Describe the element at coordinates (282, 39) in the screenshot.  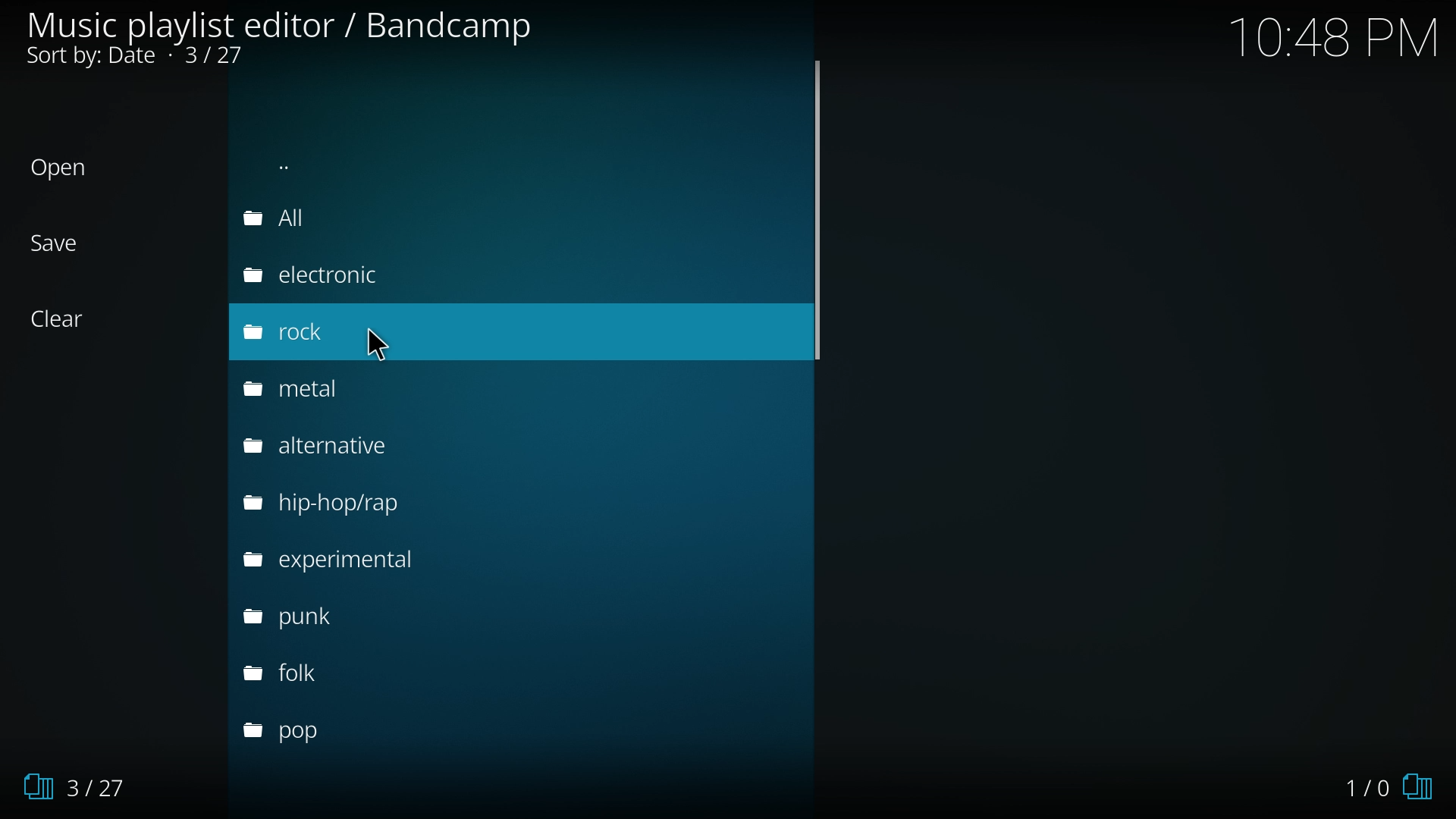
I see `music playlist editor/bandicamp` at that location.